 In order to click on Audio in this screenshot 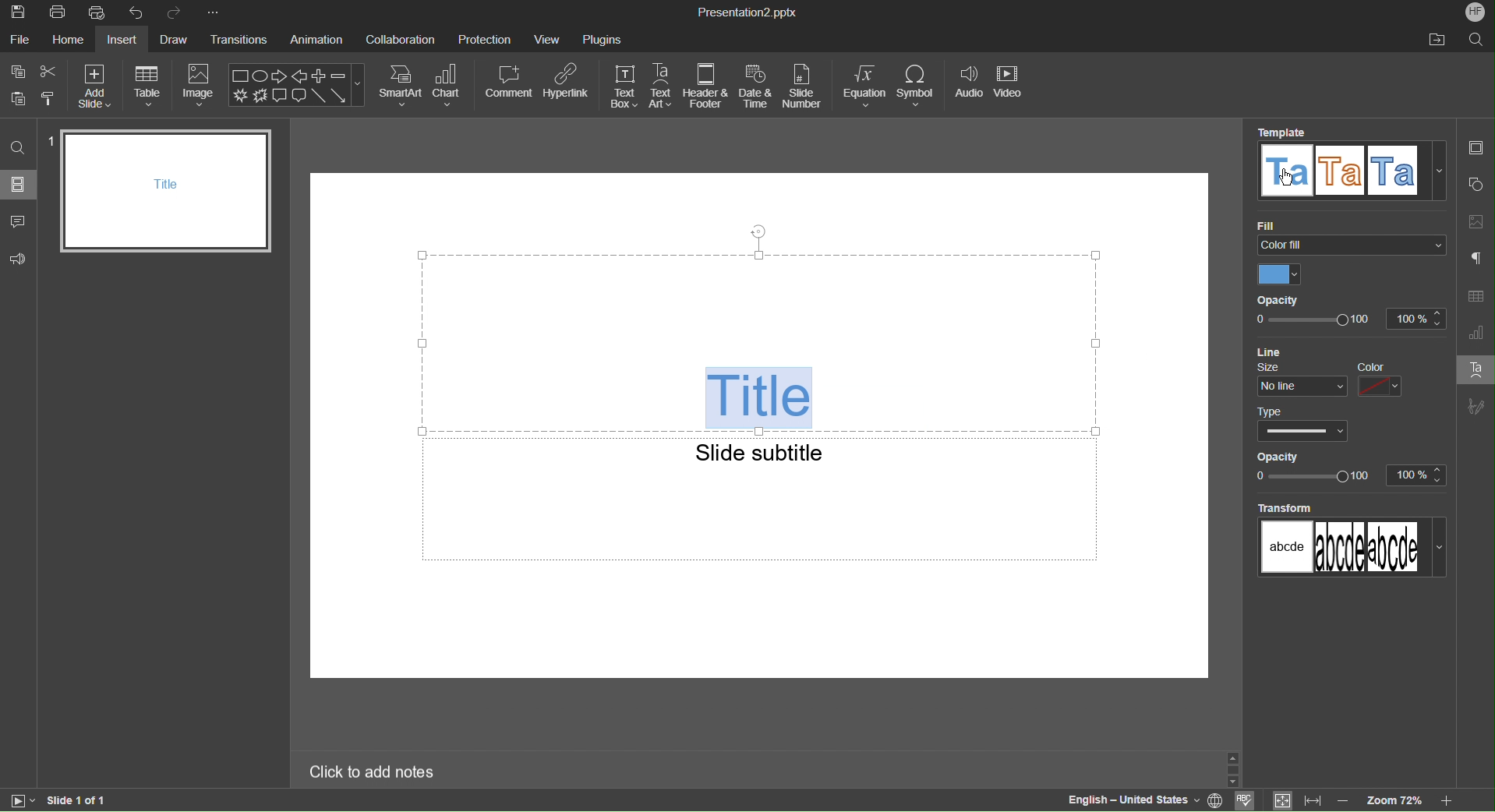, I will do `click(969, 86)`.